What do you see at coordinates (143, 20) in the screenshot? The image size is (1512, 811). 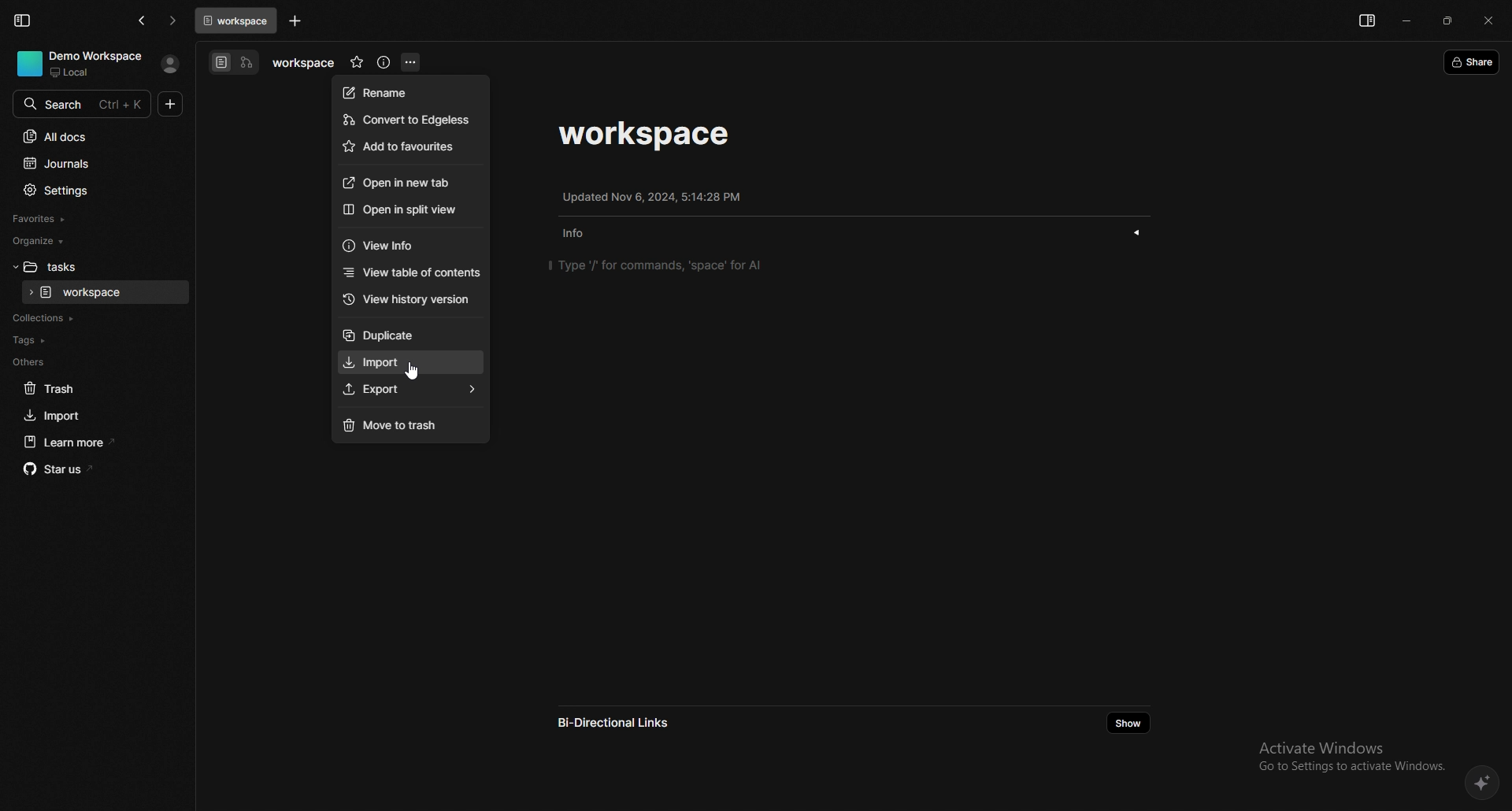 I see `go back` at bounding box center [143, 20].